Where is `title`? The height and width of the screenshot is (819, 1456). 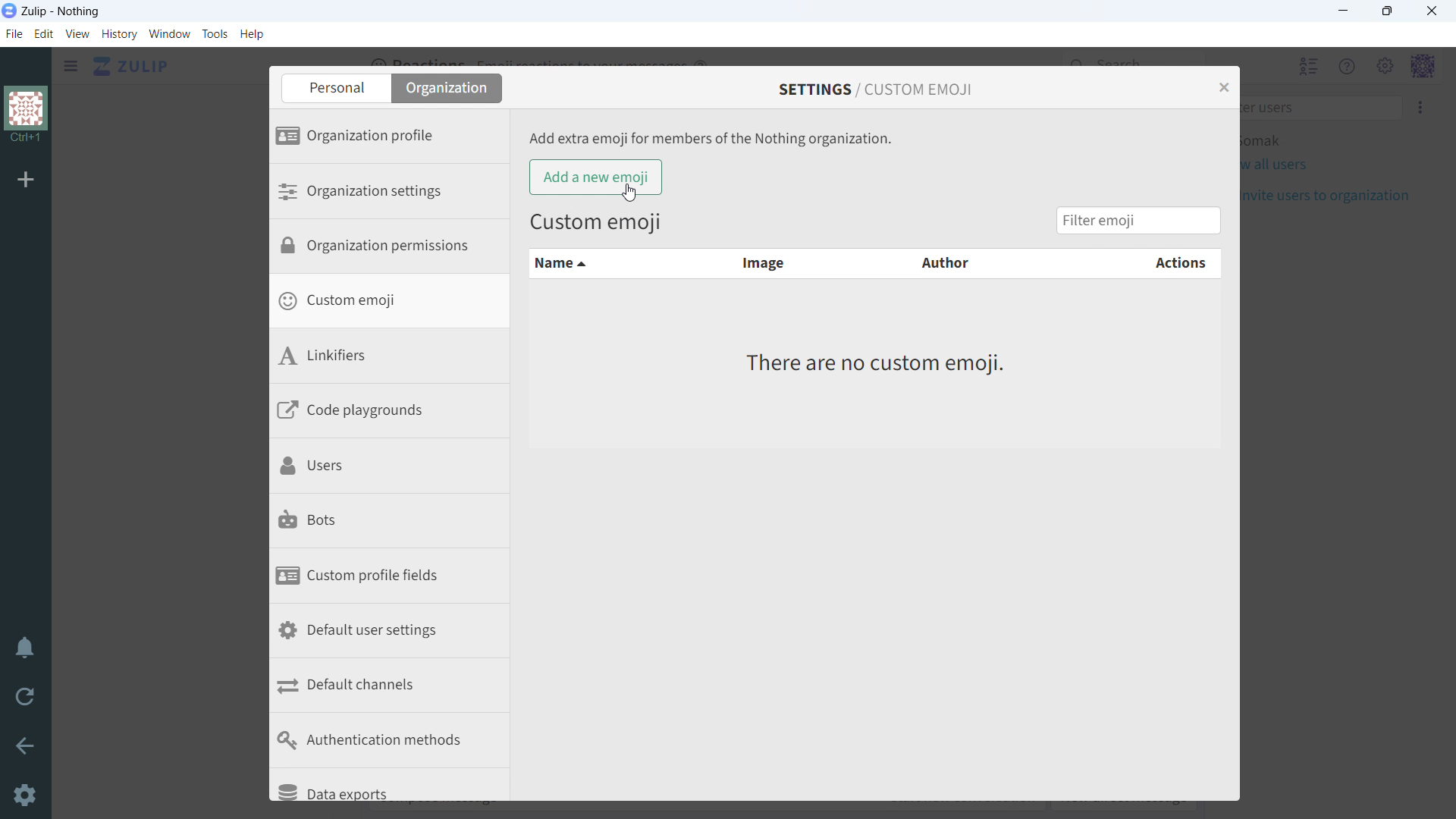 title is located at coordinates (61, 12).